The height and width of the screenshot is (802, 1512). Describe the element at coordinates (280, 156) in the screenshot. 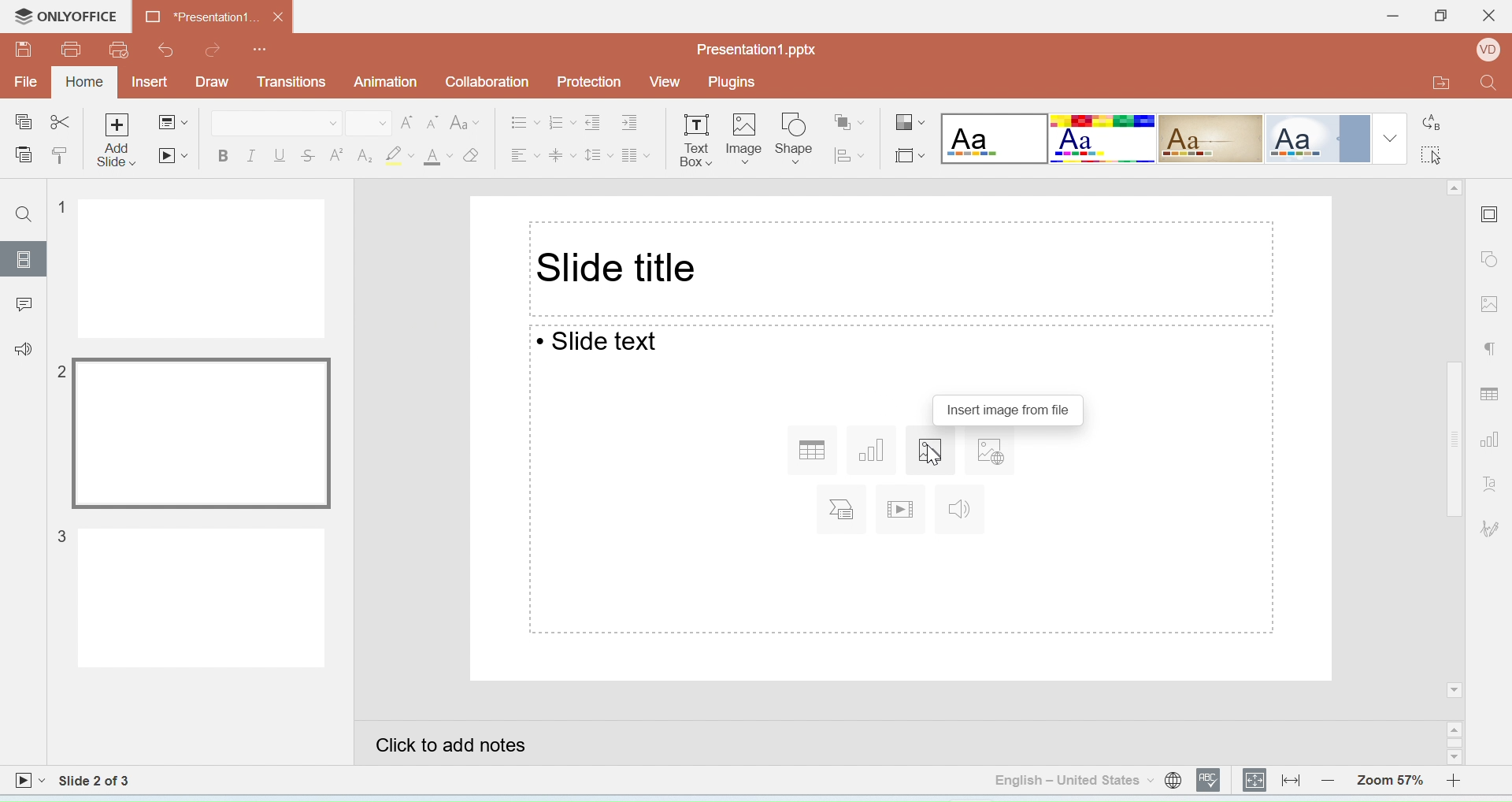

I see `Underline` at that location.